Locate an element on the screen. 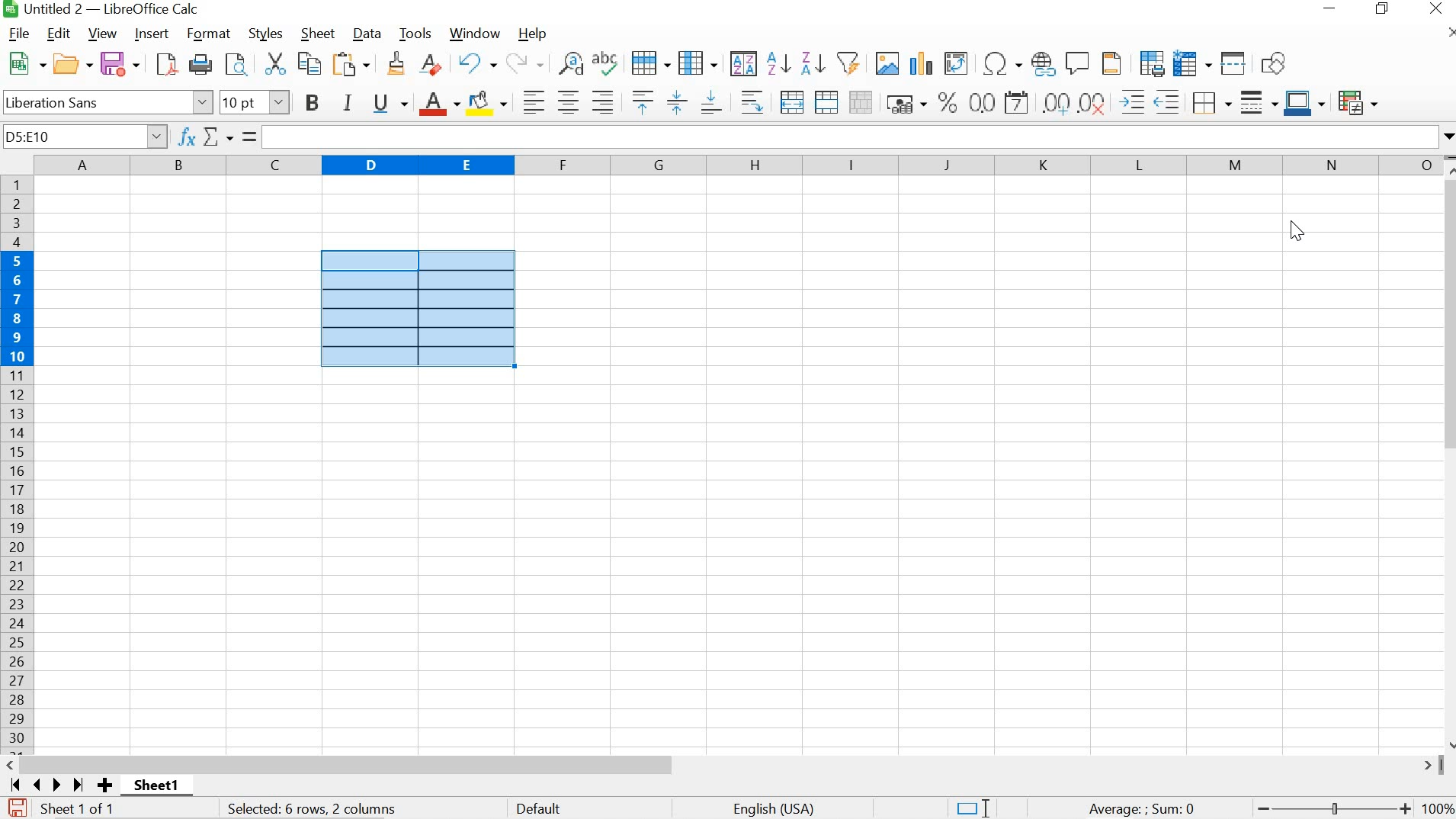 This screenshot has width=1456, height=819. insert comment is located at coordinates (1079, 63).